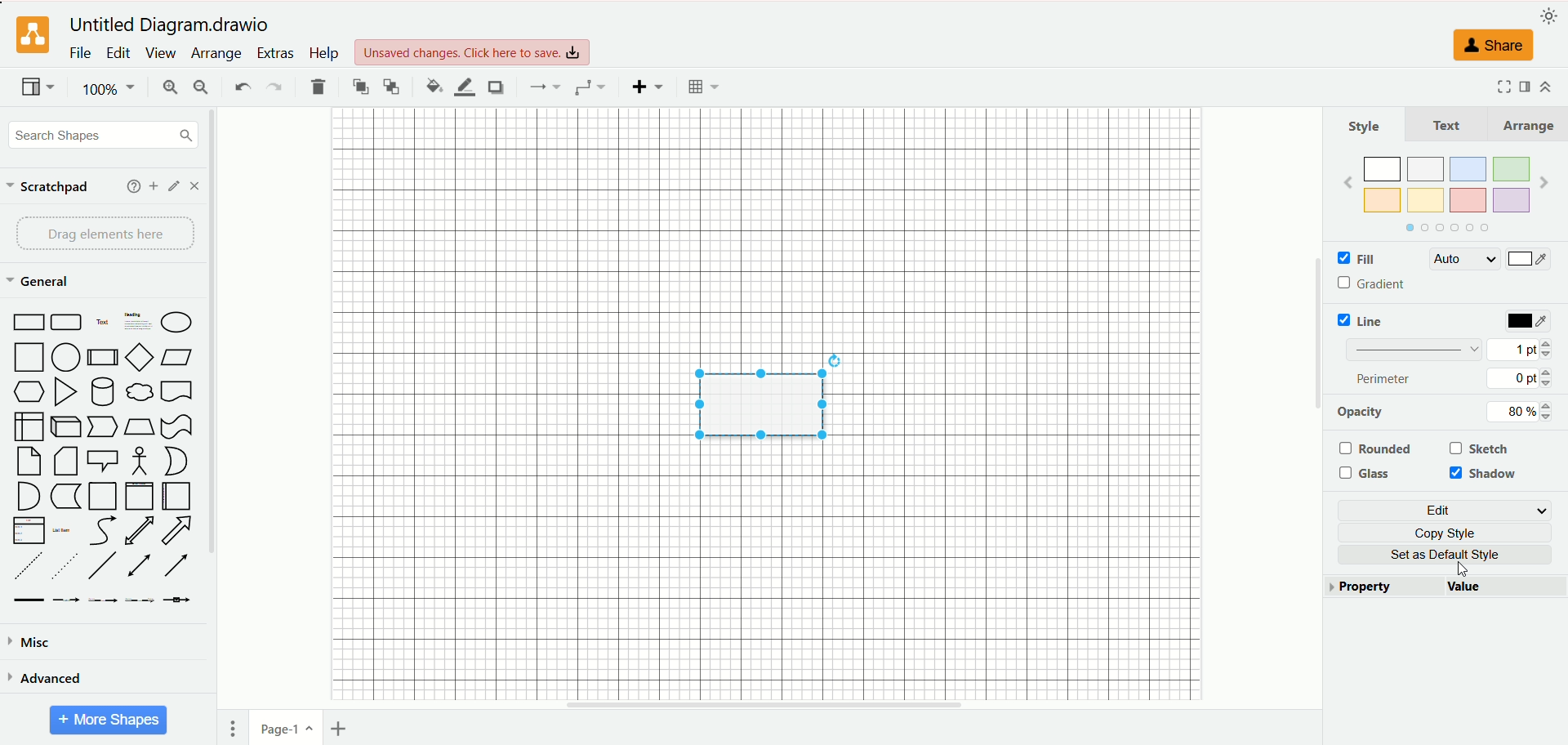 The image size is (1568, 745). Describe the element at coordinates (434, 86) in the screenshot. I see `fill color` at that location.